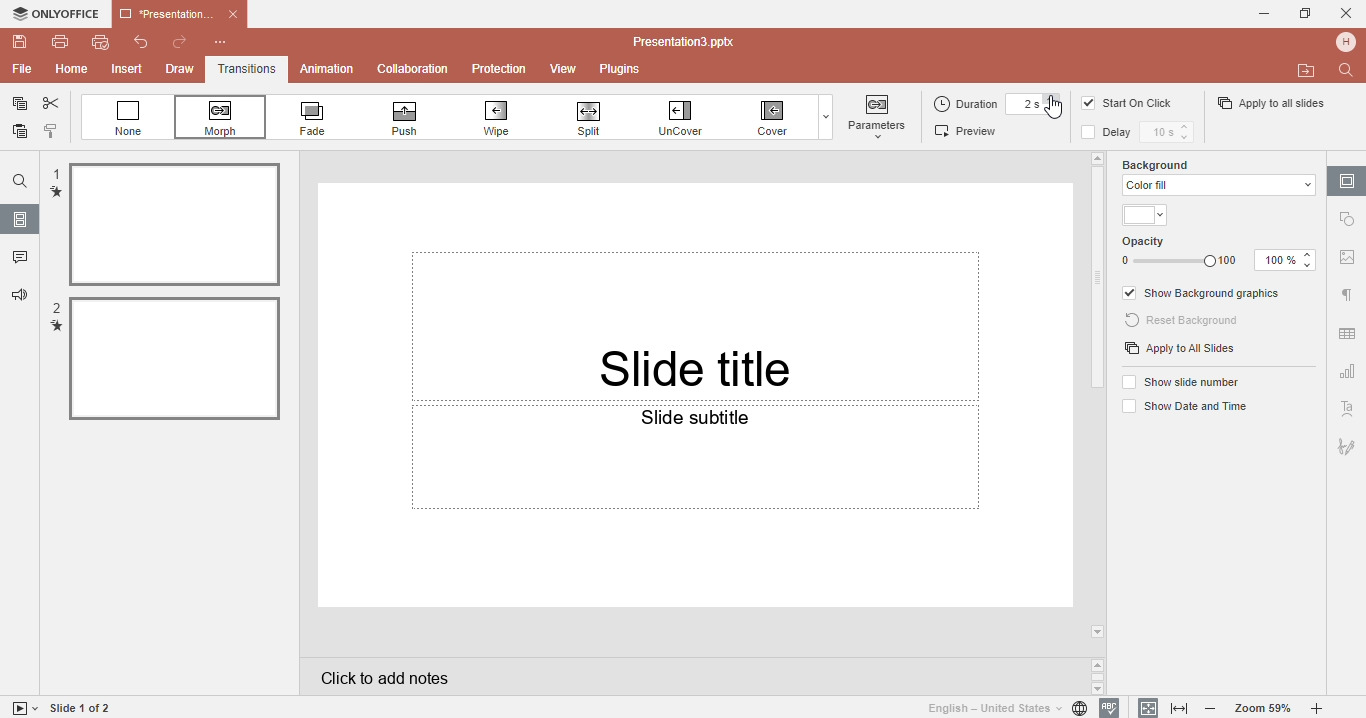 The width and height of the screenshot is (1366, 718). Describe the element at coordinates (52, 133) in the screenshot. I see `Copy style` at that location.